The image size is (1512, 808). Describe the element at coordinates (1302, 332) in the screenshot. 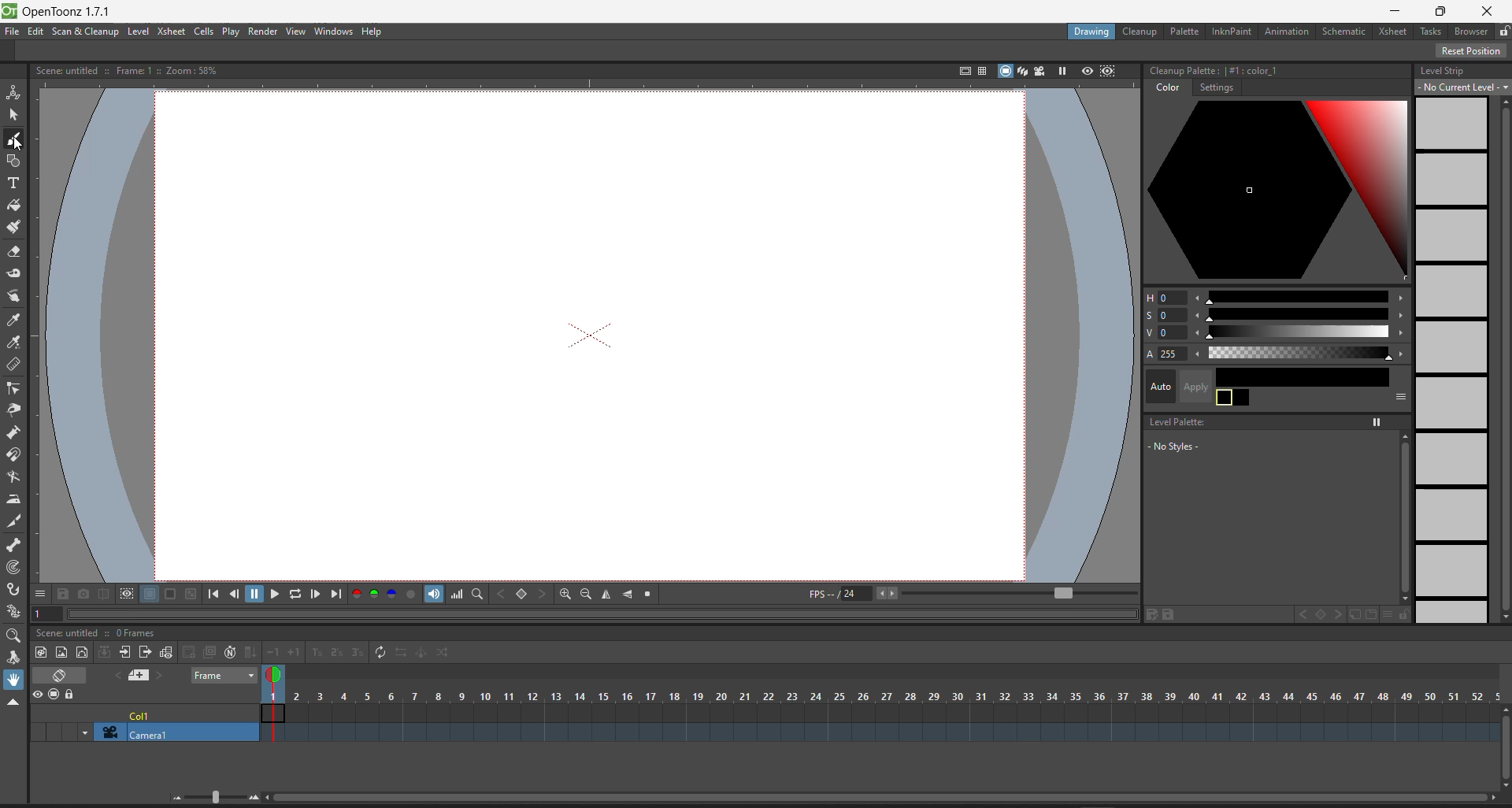

I see `slider` at that location.